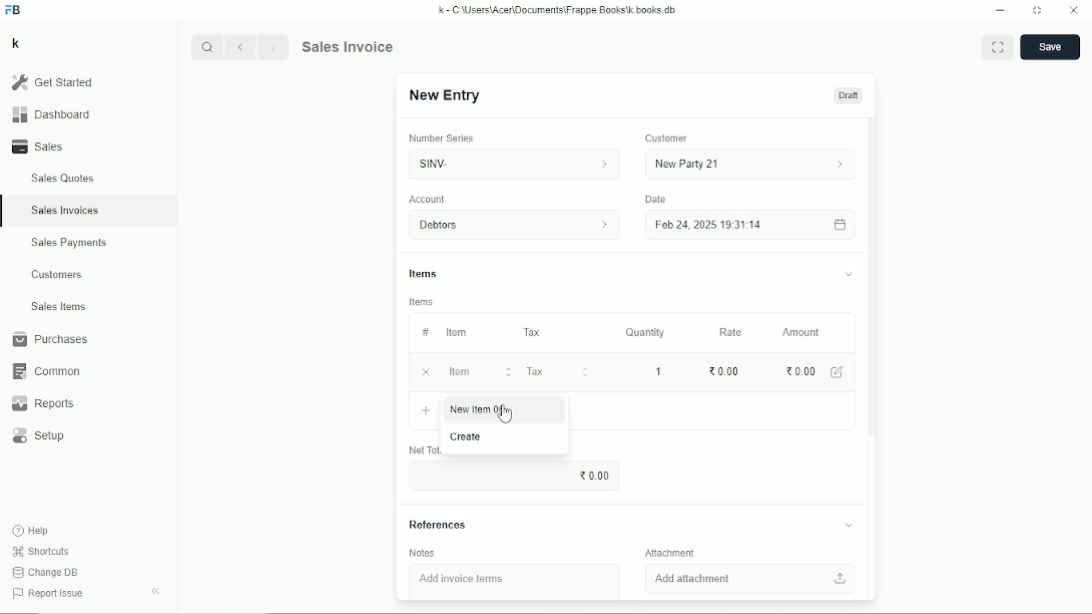 The width and height of the screenshot is (1092, 614). Describe the element at coordinates (424, 332) in the screenshot. I see `#` at that location.